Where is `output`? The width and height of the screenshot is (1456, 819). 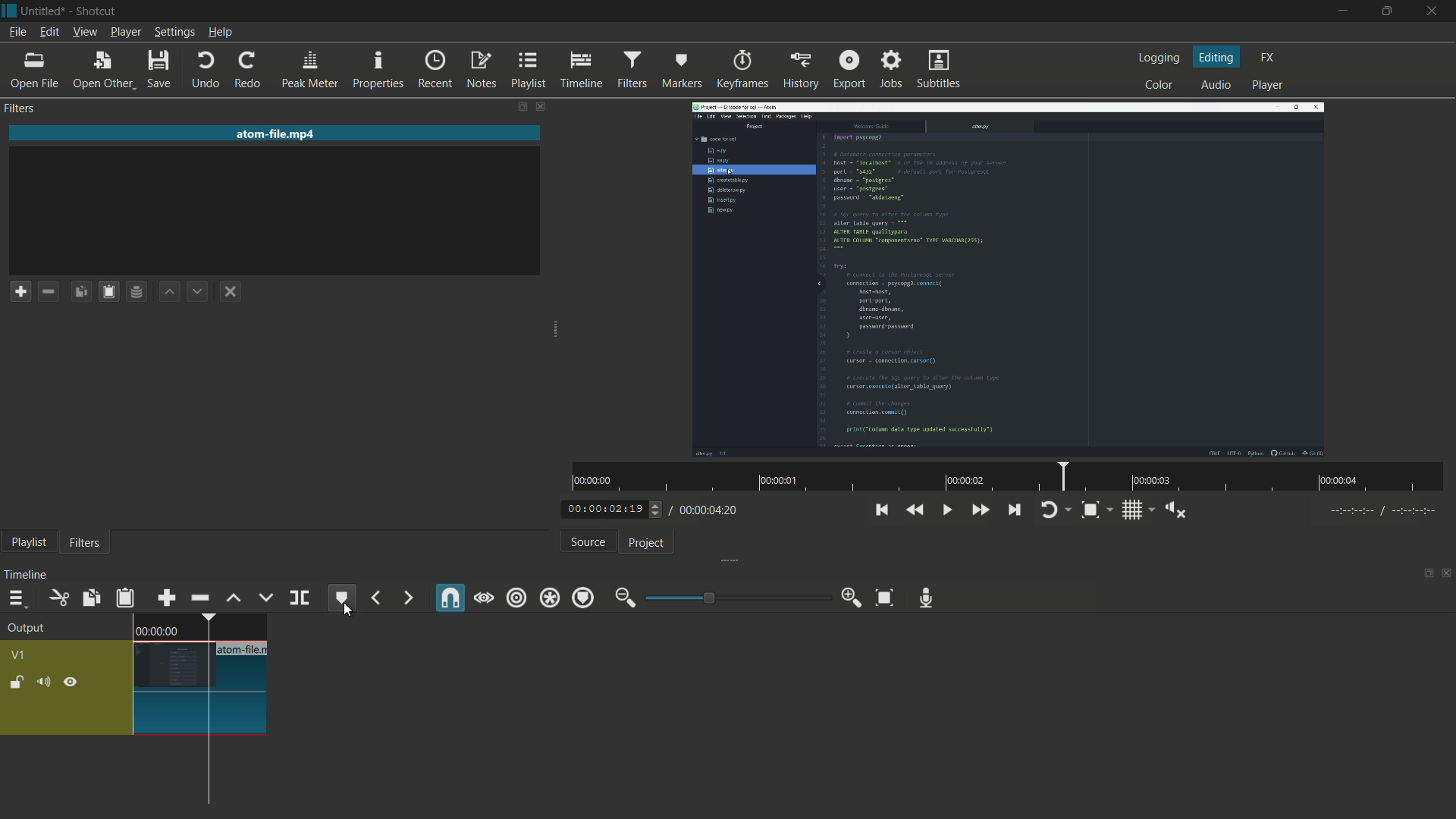 output is located at coordinates (27, 628).